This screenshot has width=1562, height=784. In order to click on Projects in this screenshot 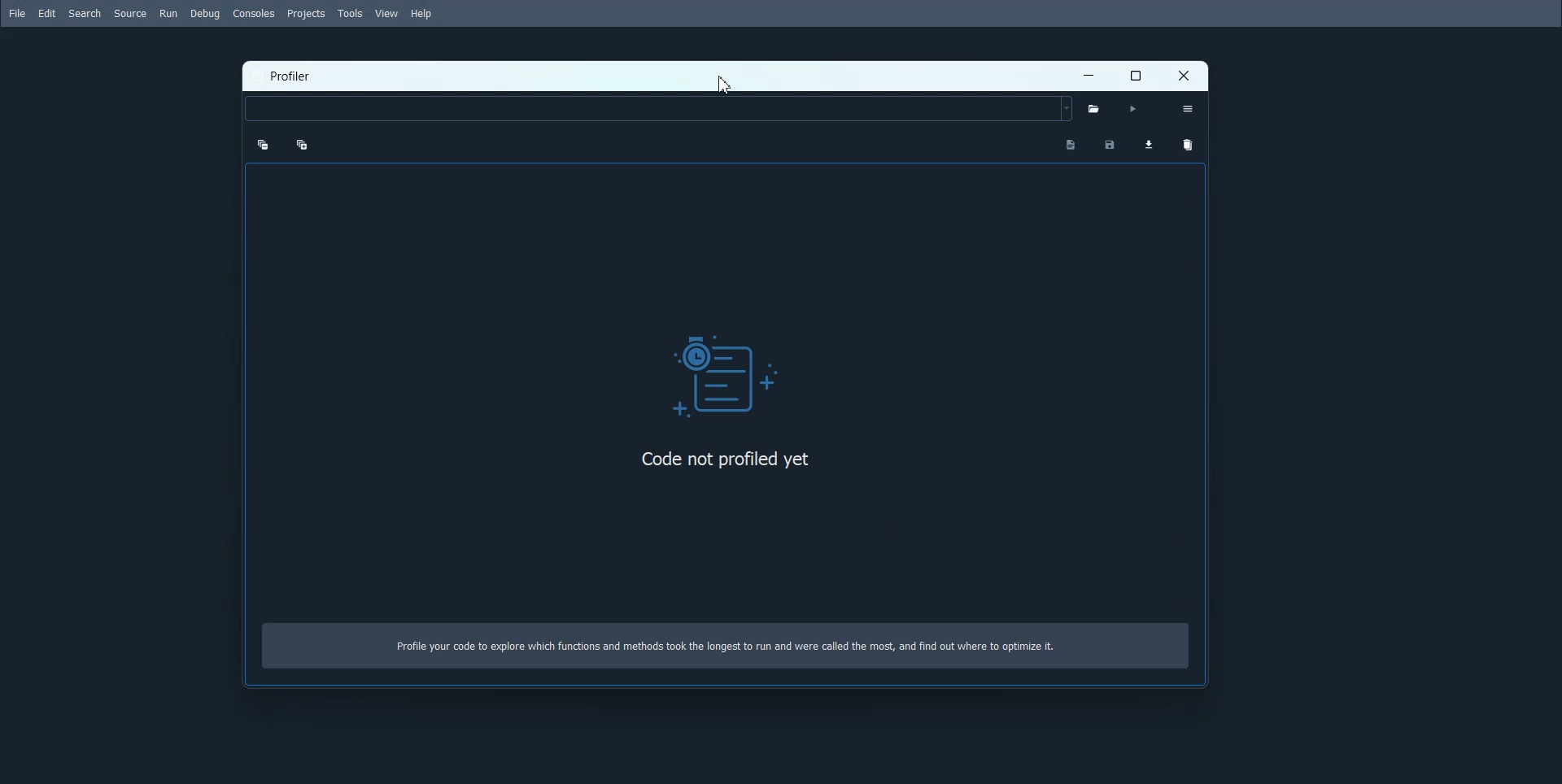, I will do `click(308, 15)`.